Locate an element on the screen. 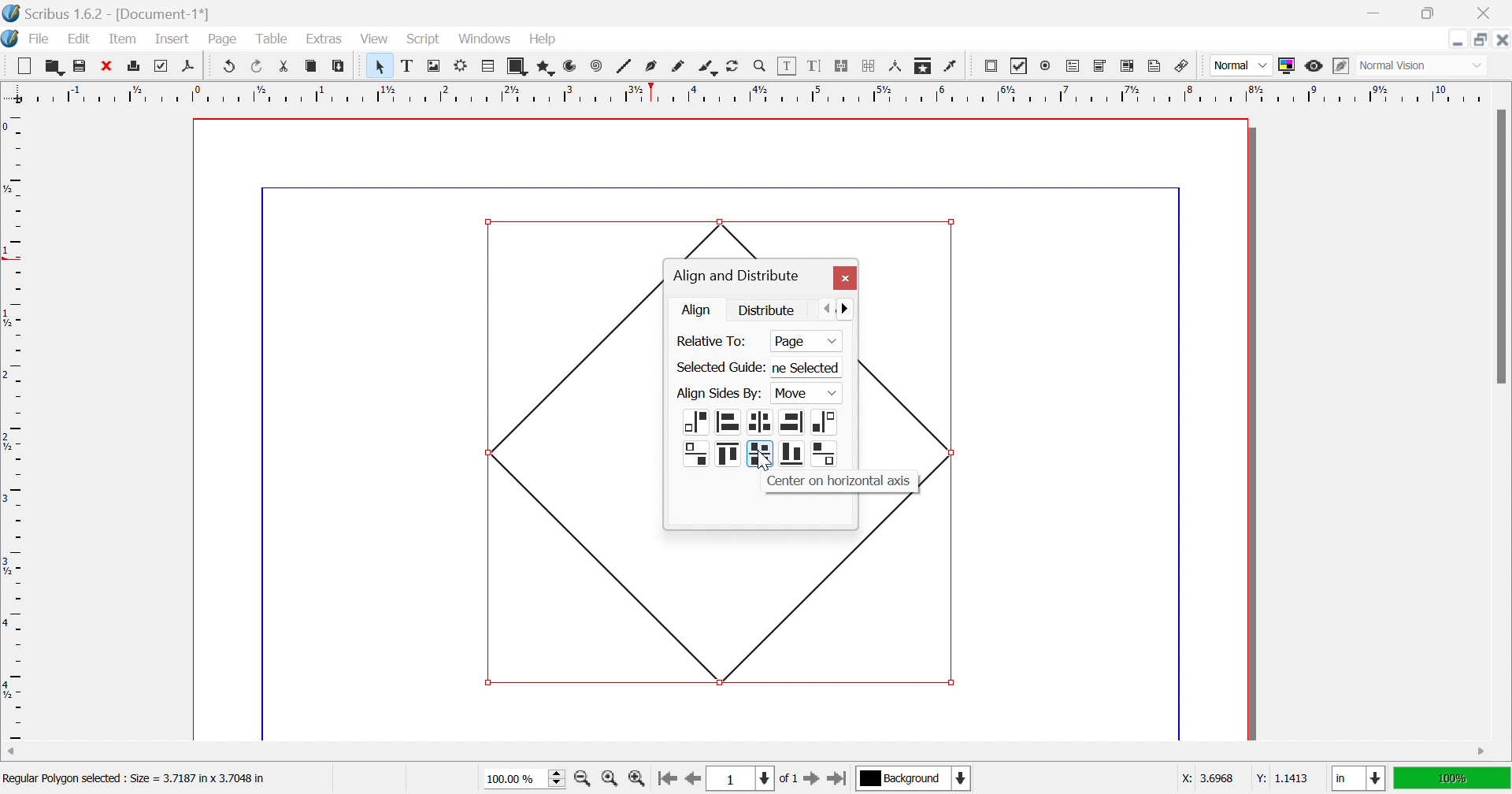 This screenshot has height=794, width=1512. Print is located at coordinates (158, 66).